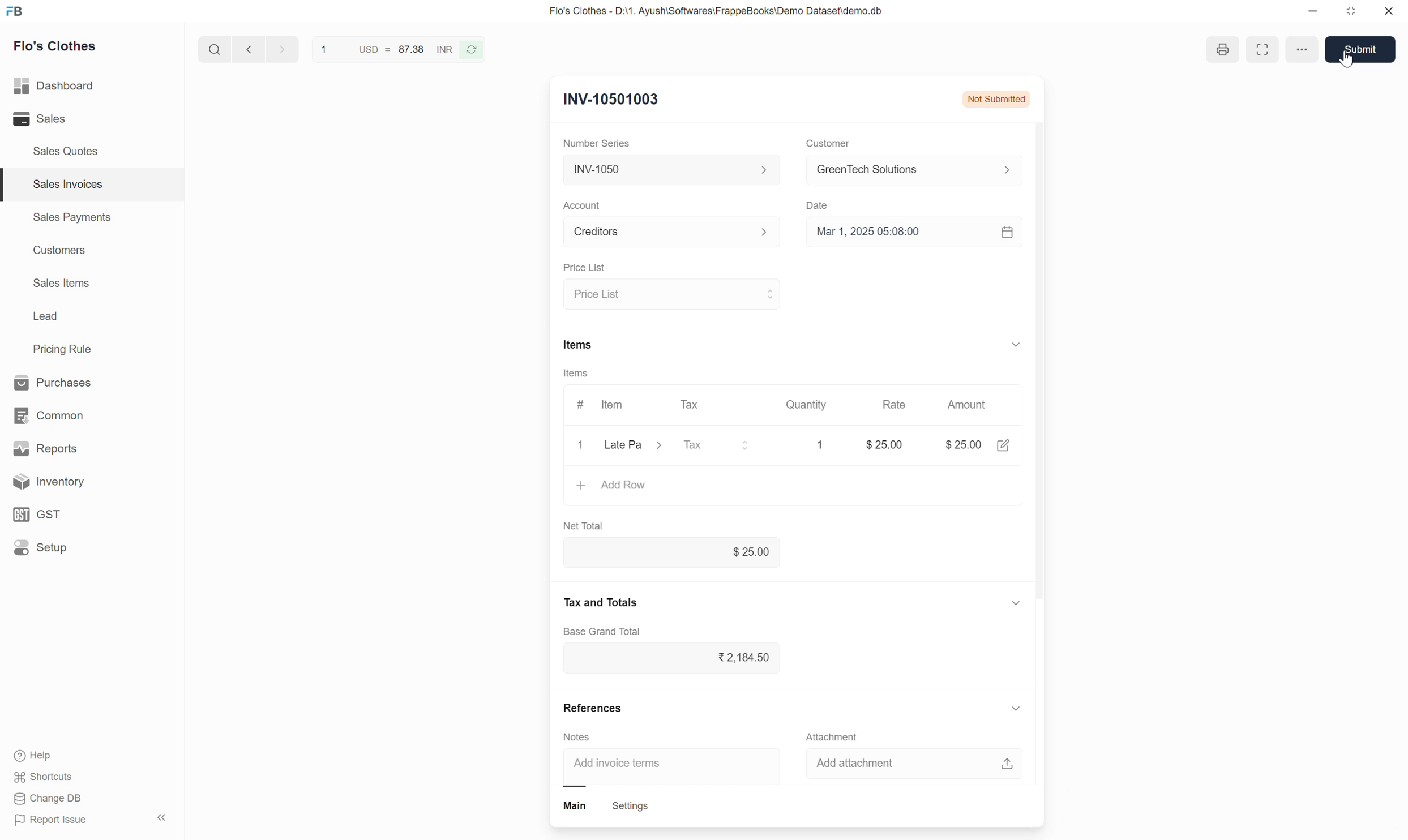  I want to click on show or hide references , so click(1020, 705).